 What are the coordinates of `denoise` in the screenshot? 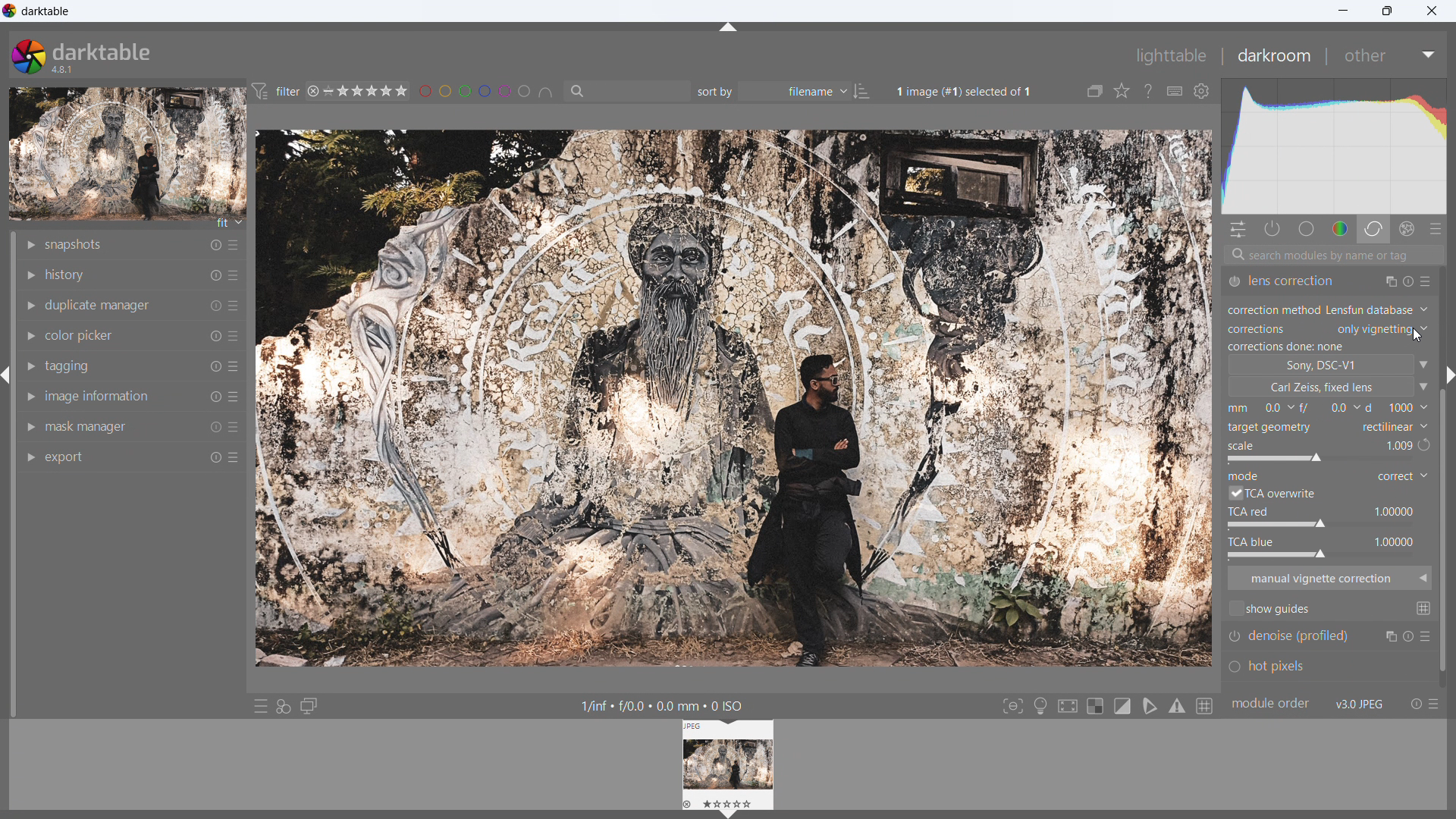 It's located at (1329, 638).